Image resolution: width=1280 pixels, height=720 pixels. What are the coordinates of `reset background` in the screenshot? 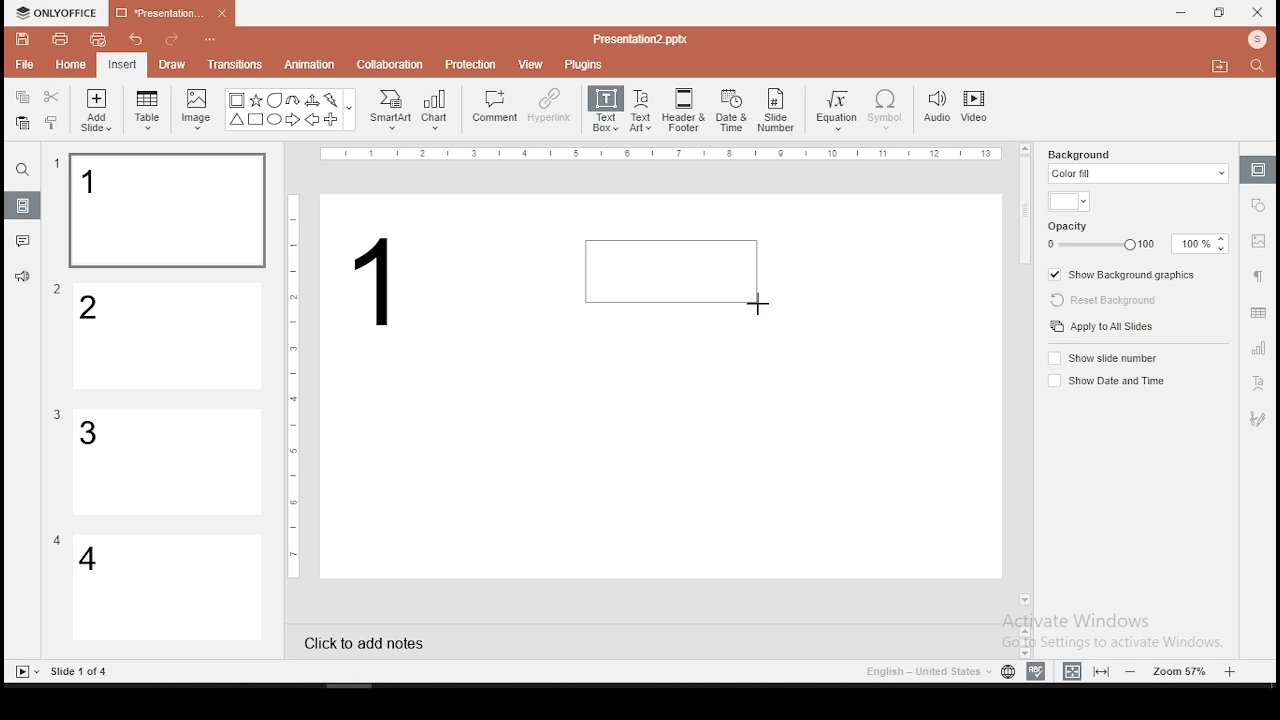 It's located at (1101, 301).